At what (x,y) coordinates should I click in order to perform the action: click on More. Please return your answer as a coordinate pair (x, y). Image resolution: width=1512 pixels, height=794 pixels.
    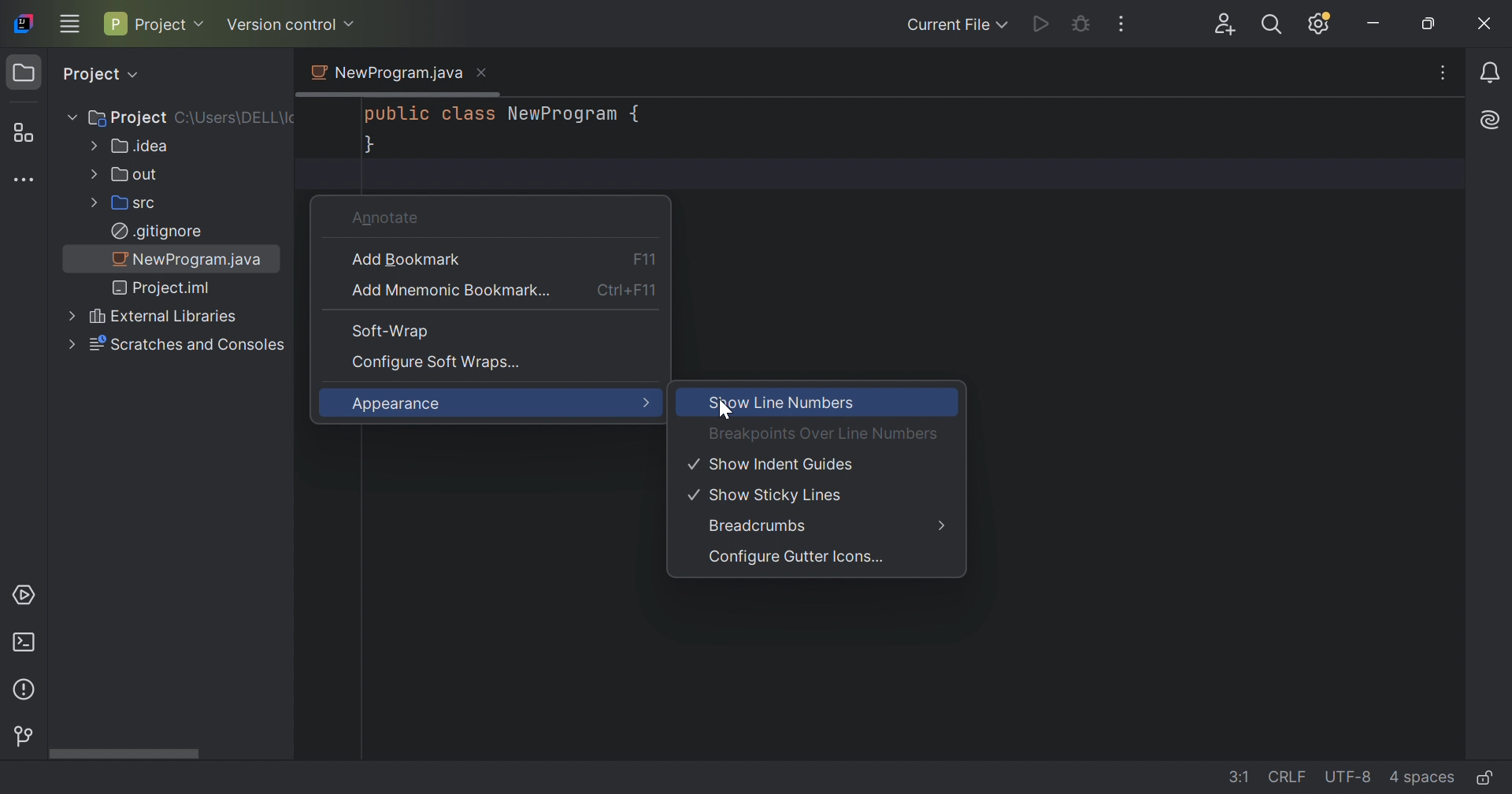
    Looking at the image, I should click on (943, 525).